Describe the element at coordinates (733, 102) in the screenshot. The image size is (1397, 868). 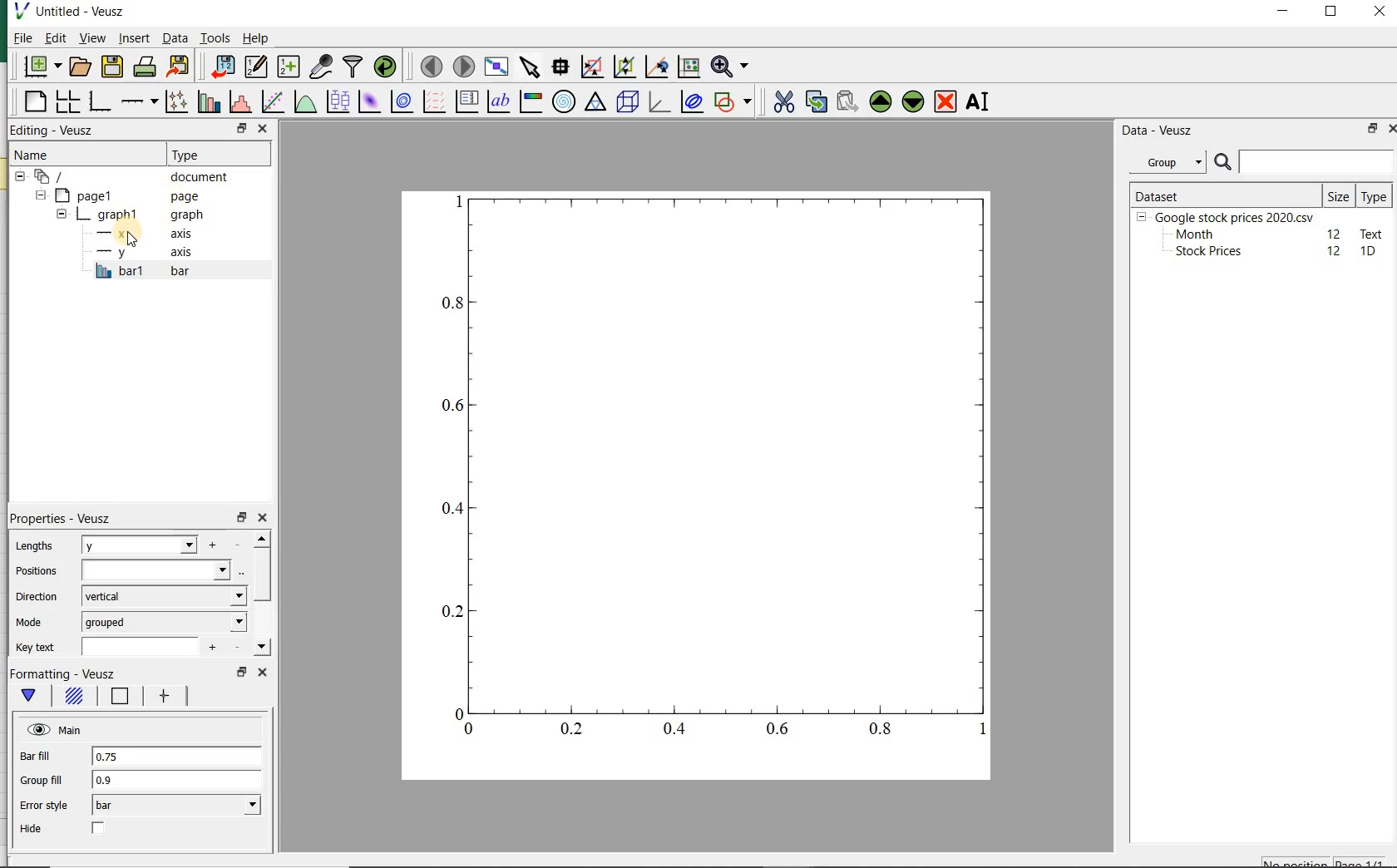
I see `add a shape to the plot` at that location.